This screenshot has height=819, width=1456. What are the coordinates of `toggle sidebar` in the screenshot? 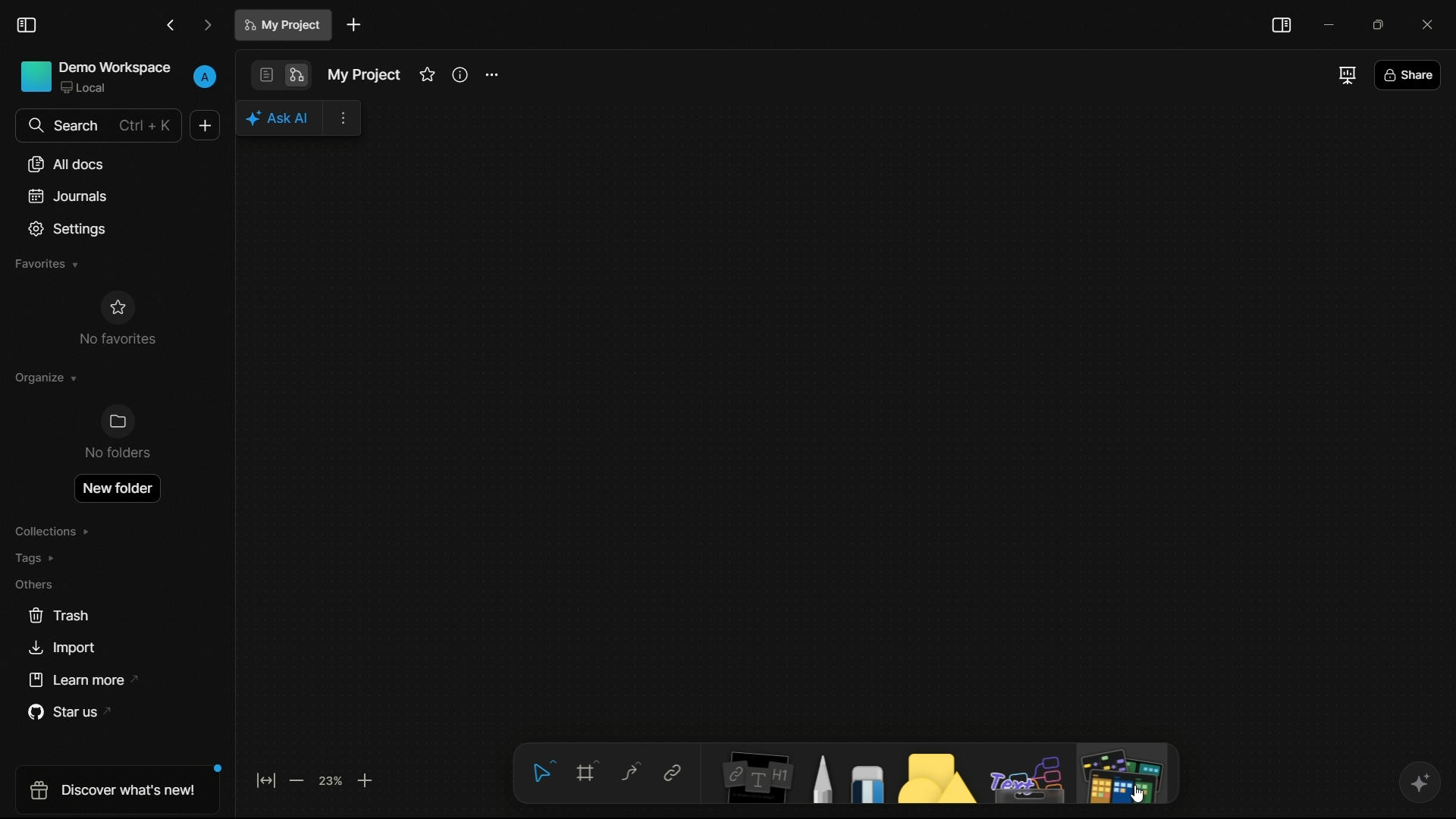 It's located at (1281, 25).